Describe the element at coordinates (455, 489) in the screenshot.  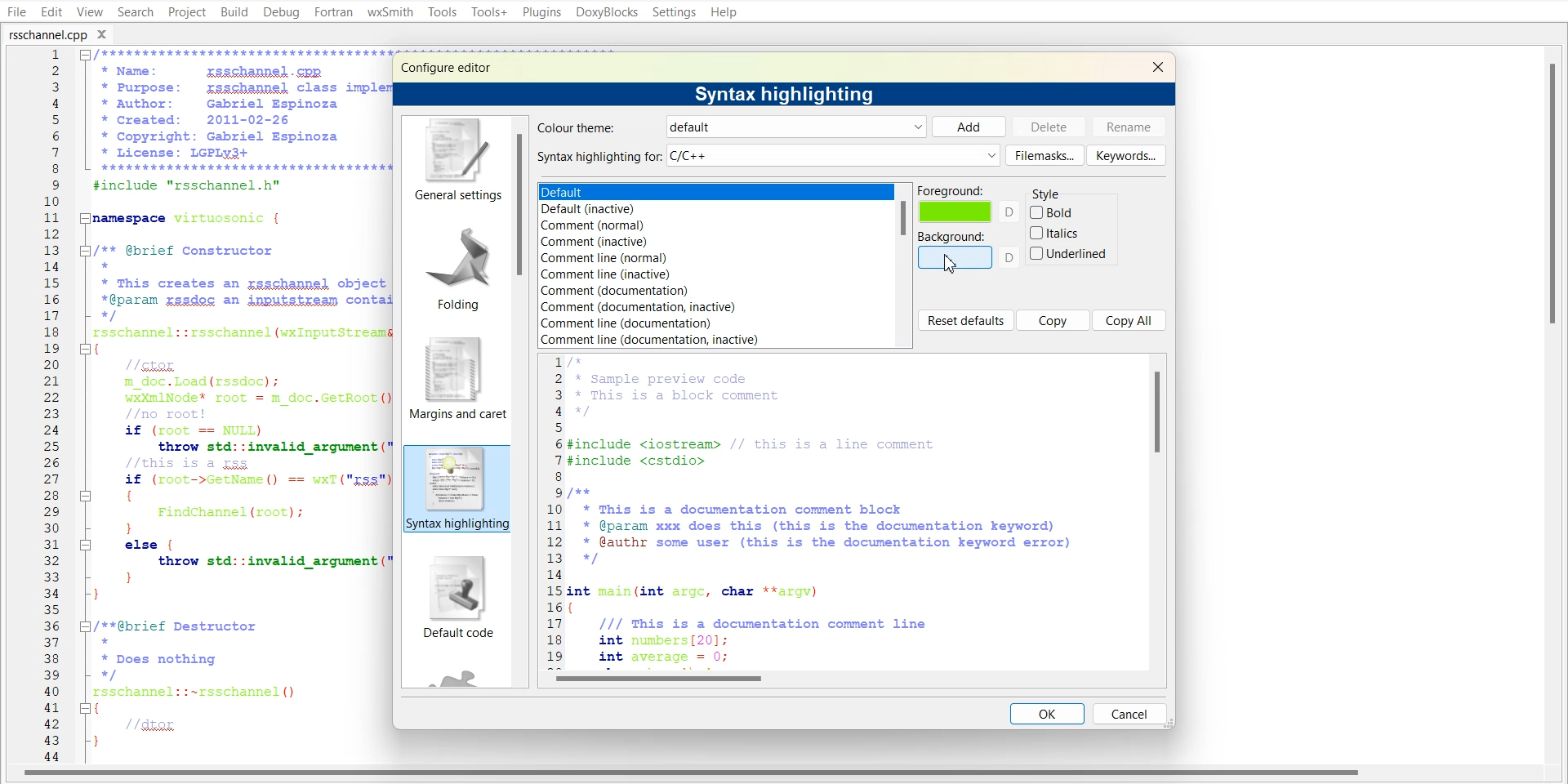
I see `Syntax highlight` at that location.